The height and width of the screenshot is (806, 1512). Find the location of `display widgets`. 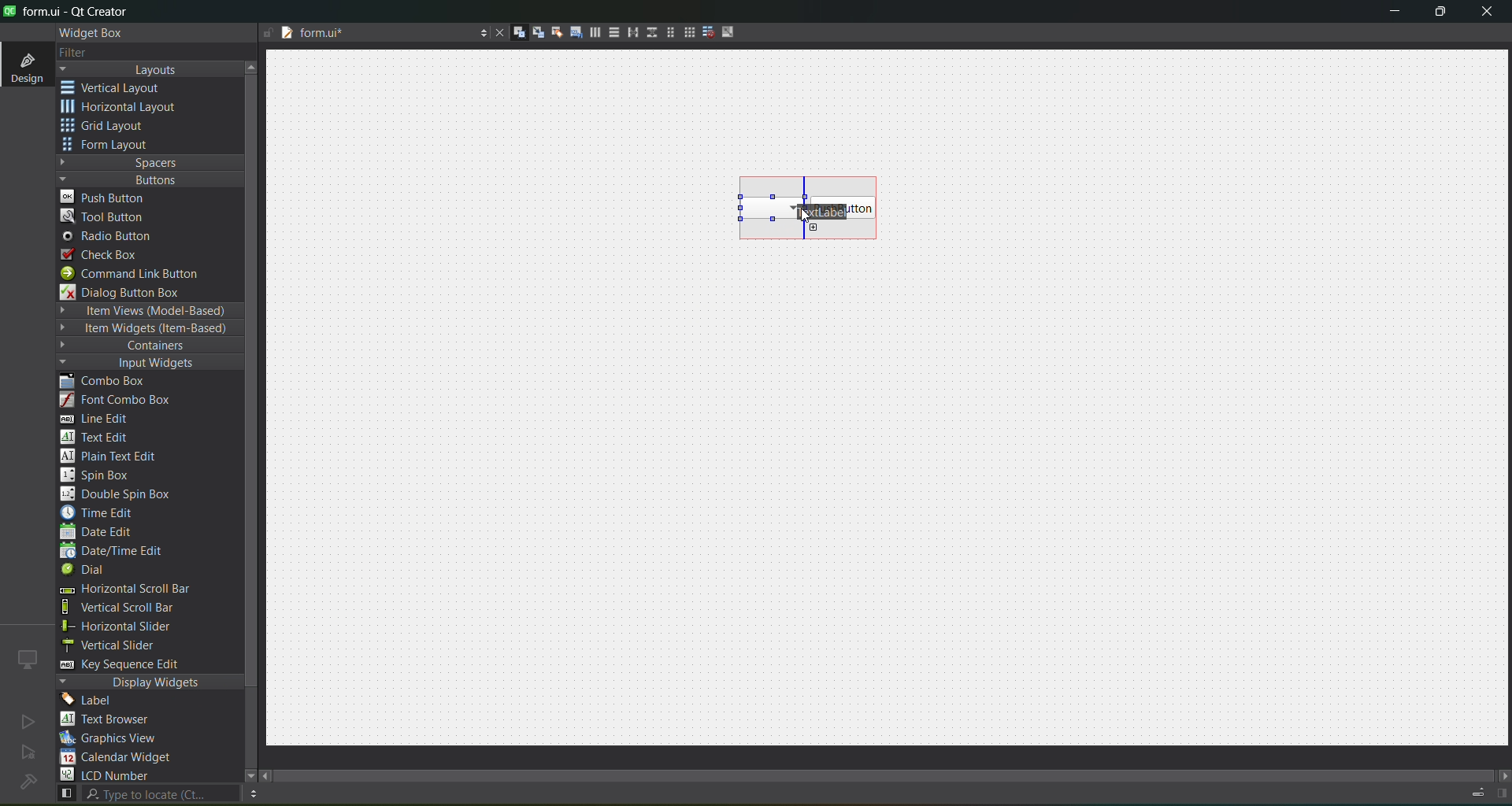

display widgets is located at coordinates (150, 682).